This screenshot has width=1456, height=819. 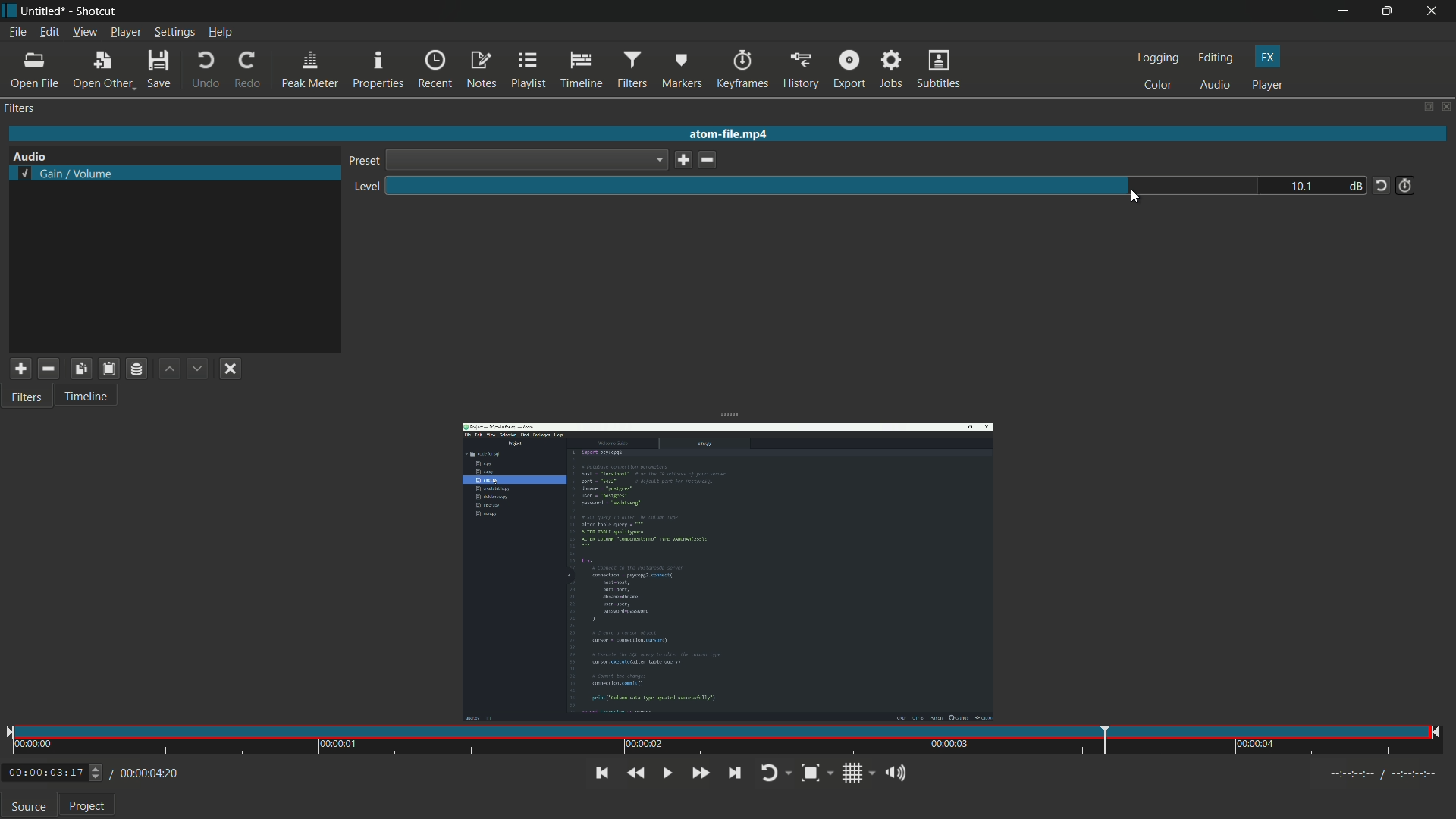 What do you see at coordinates (681, 71) in the screenshot?
I see `markers` at bounding box center [681, 71].